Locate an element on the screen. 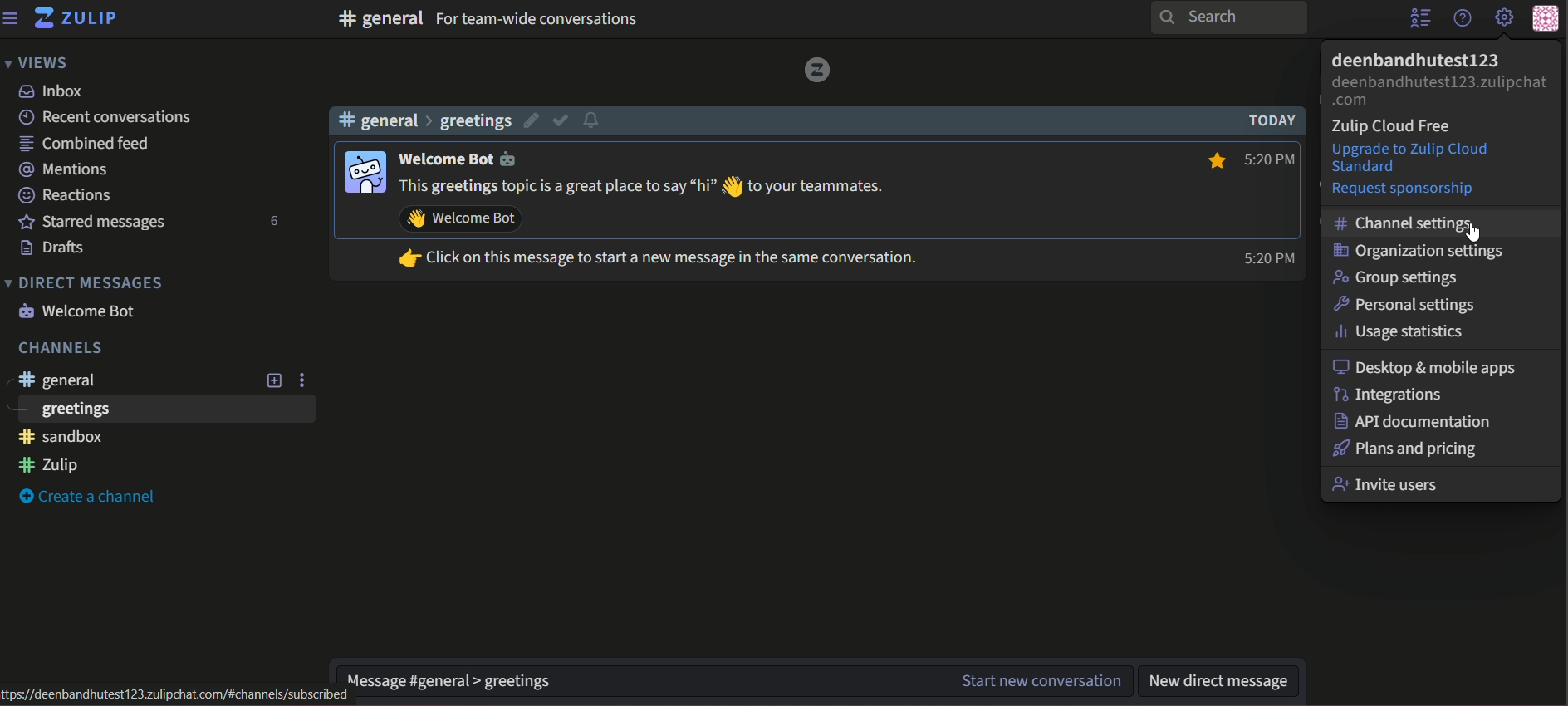 This screenshot has height=706, width=1568. direct messages is located at coordinates (85, 283).